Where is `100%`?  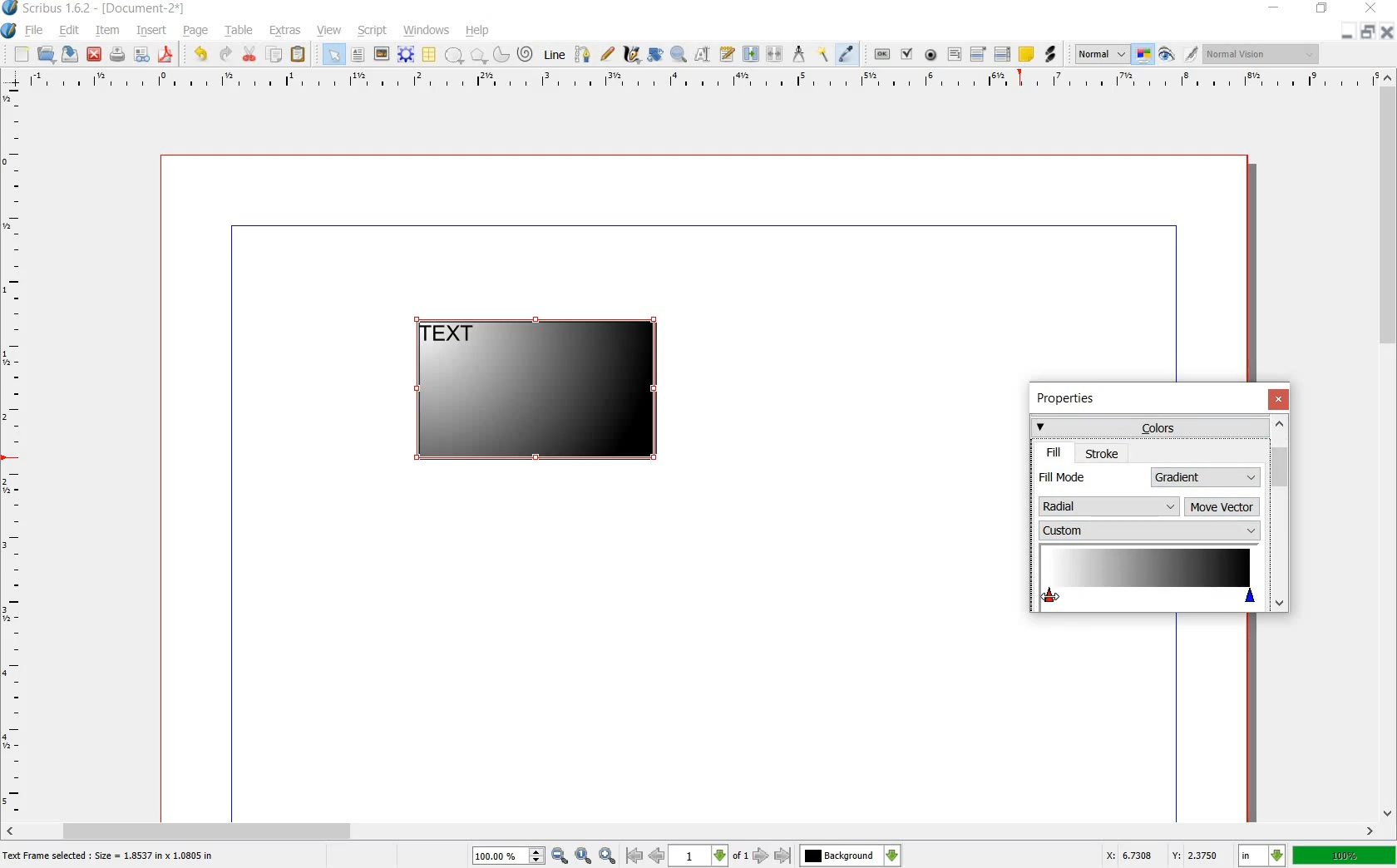
100% is located at coordinates (1345, 855).